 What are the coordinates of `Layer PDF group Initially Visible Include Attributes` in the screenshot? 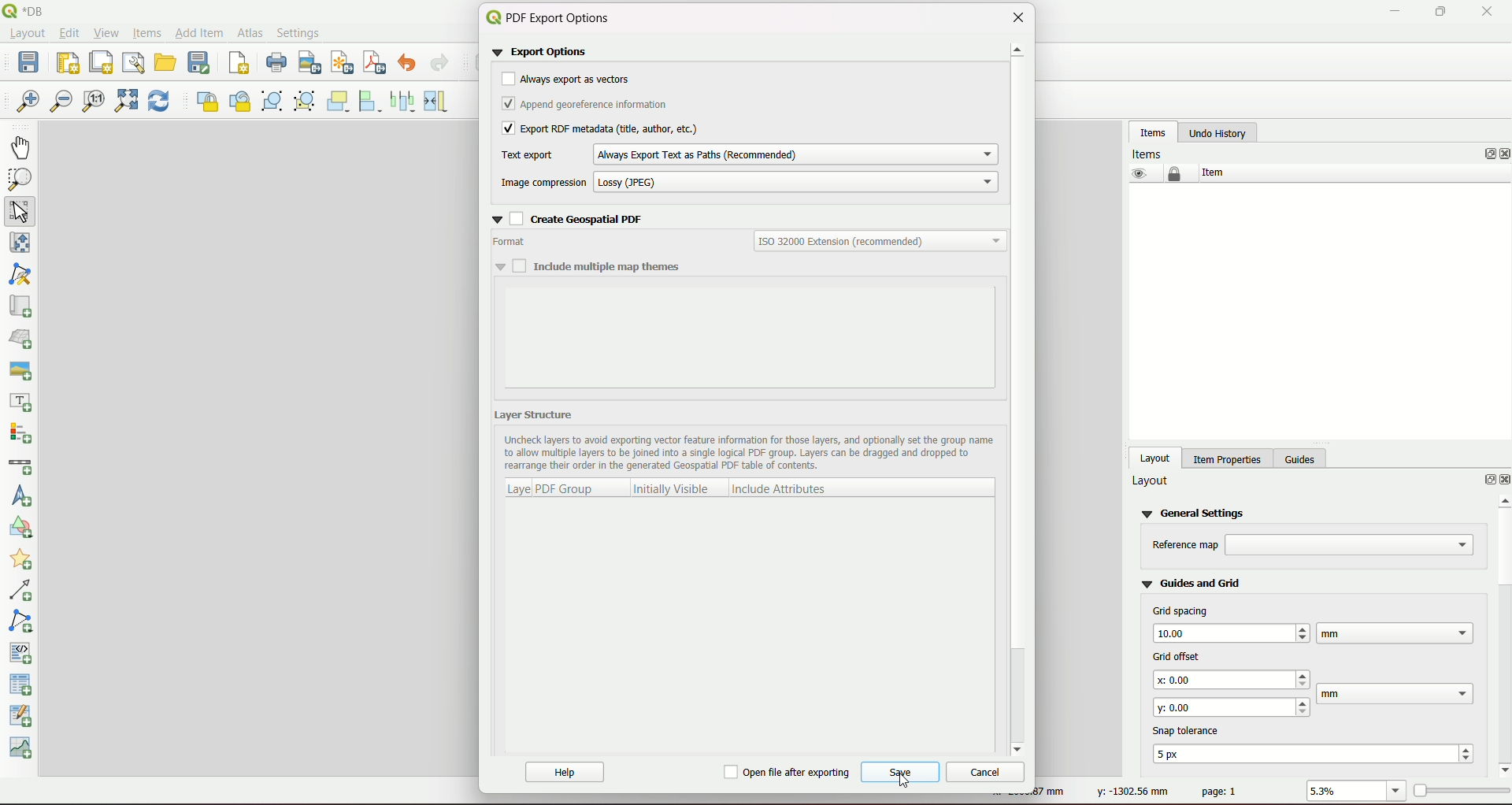 It's located at (676, 487).